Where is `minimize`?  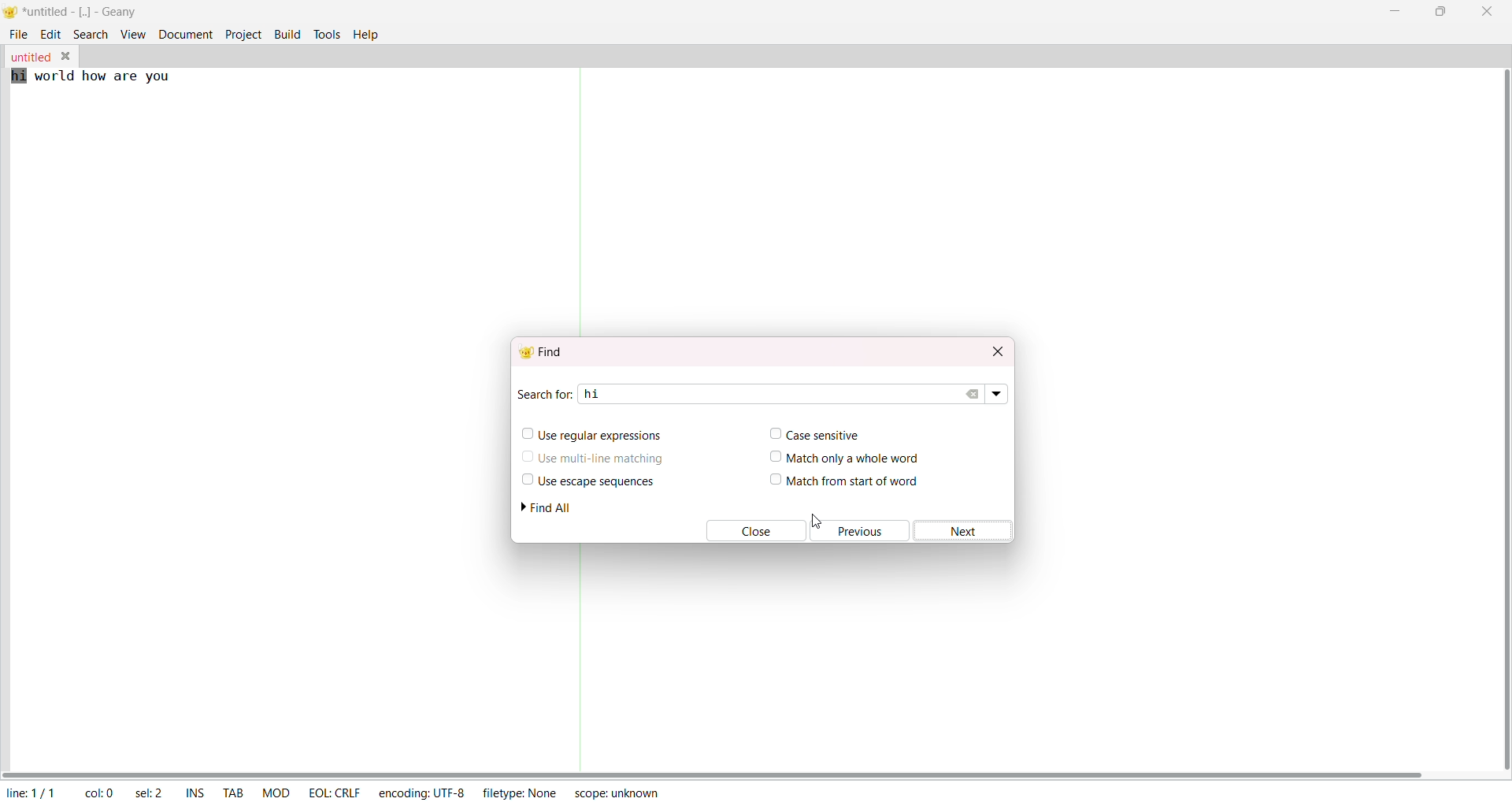 minimize is located at coordinates (1393, 10).